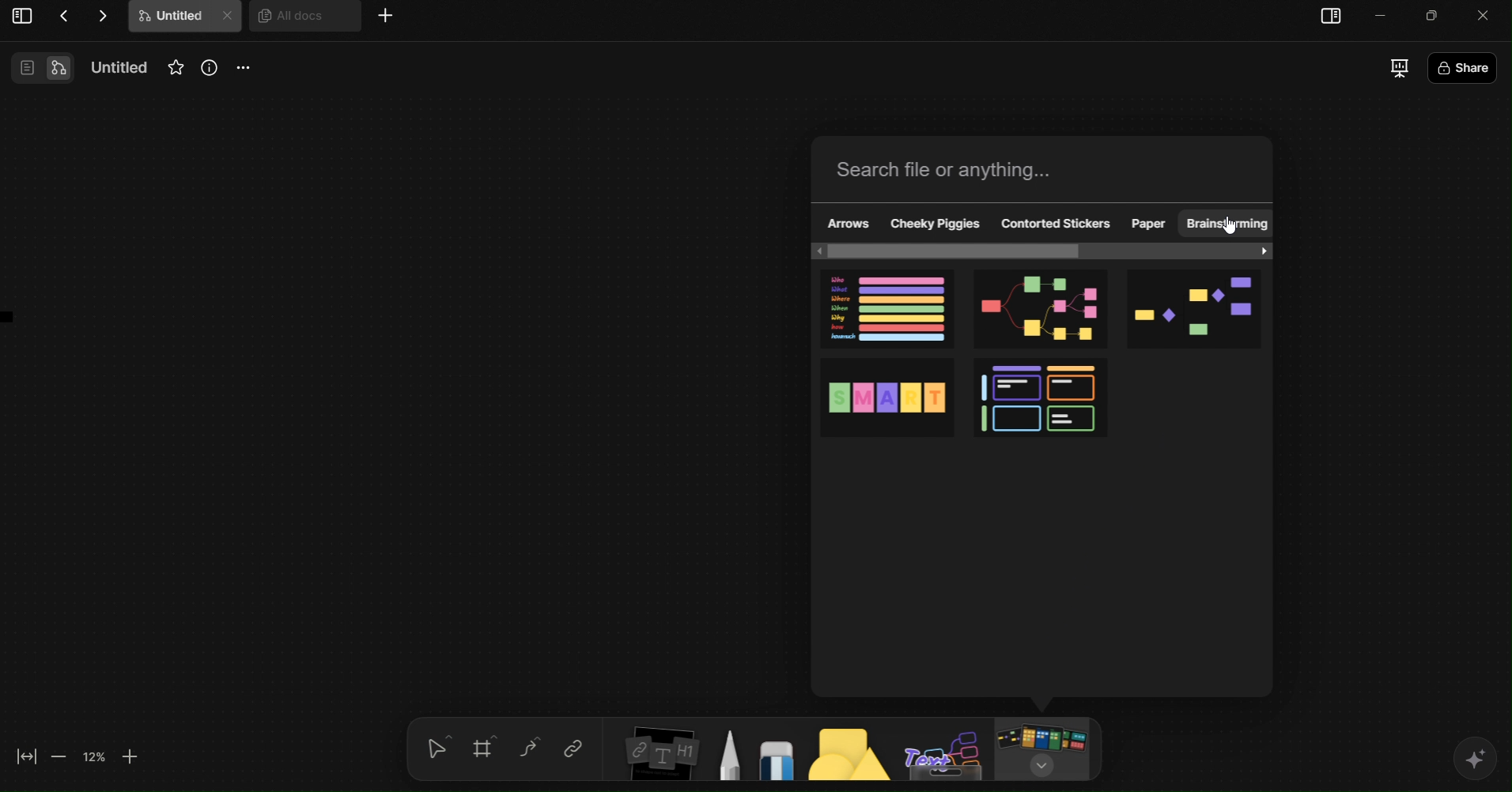 This screenshot has height=792, width=1512. Describe the element at coordinates (1152, 225) in the screenshot. I see `Paper` at that location.